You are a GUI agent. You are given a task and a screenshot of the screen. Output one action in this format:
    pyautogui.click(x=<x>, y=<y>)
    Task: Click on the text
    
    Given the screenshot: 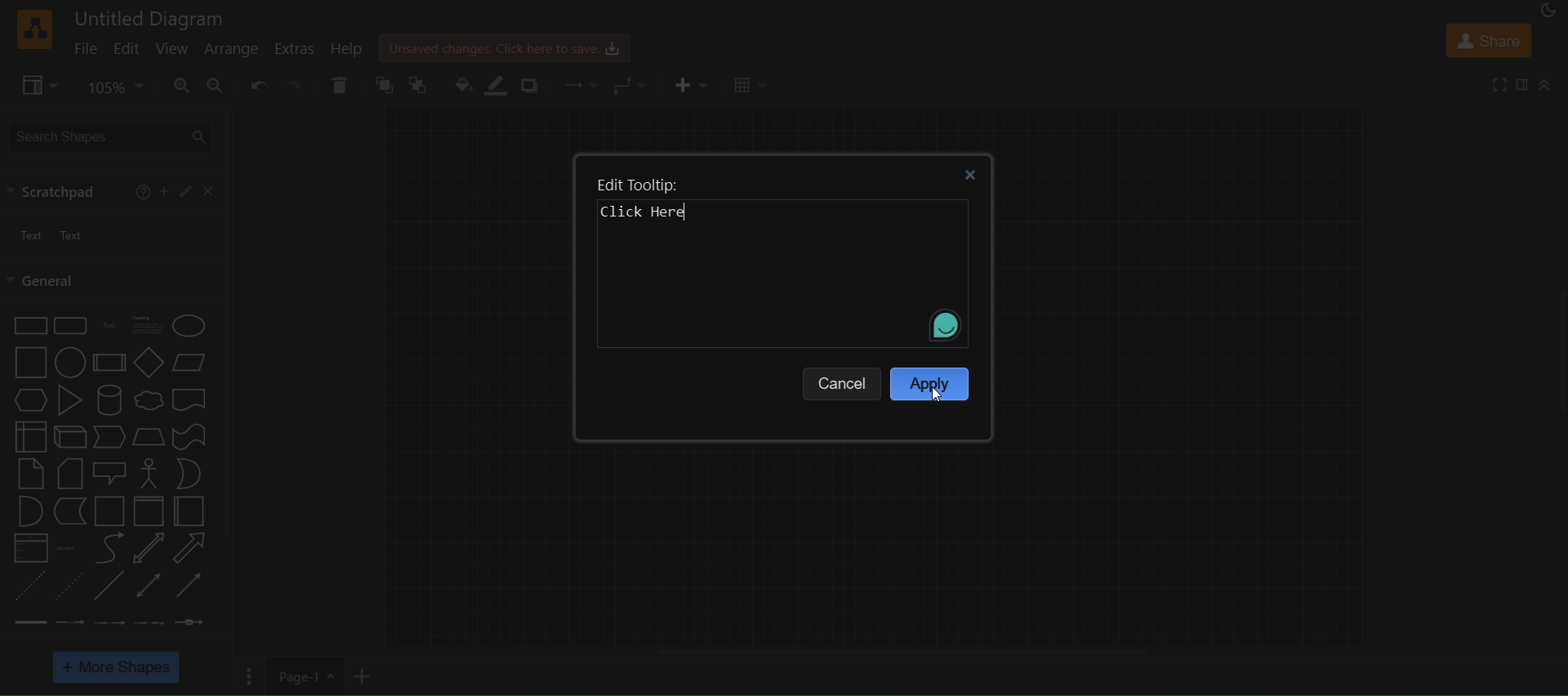 What is the action you would take?
    pyautogui.click(x=106, y=327)
    